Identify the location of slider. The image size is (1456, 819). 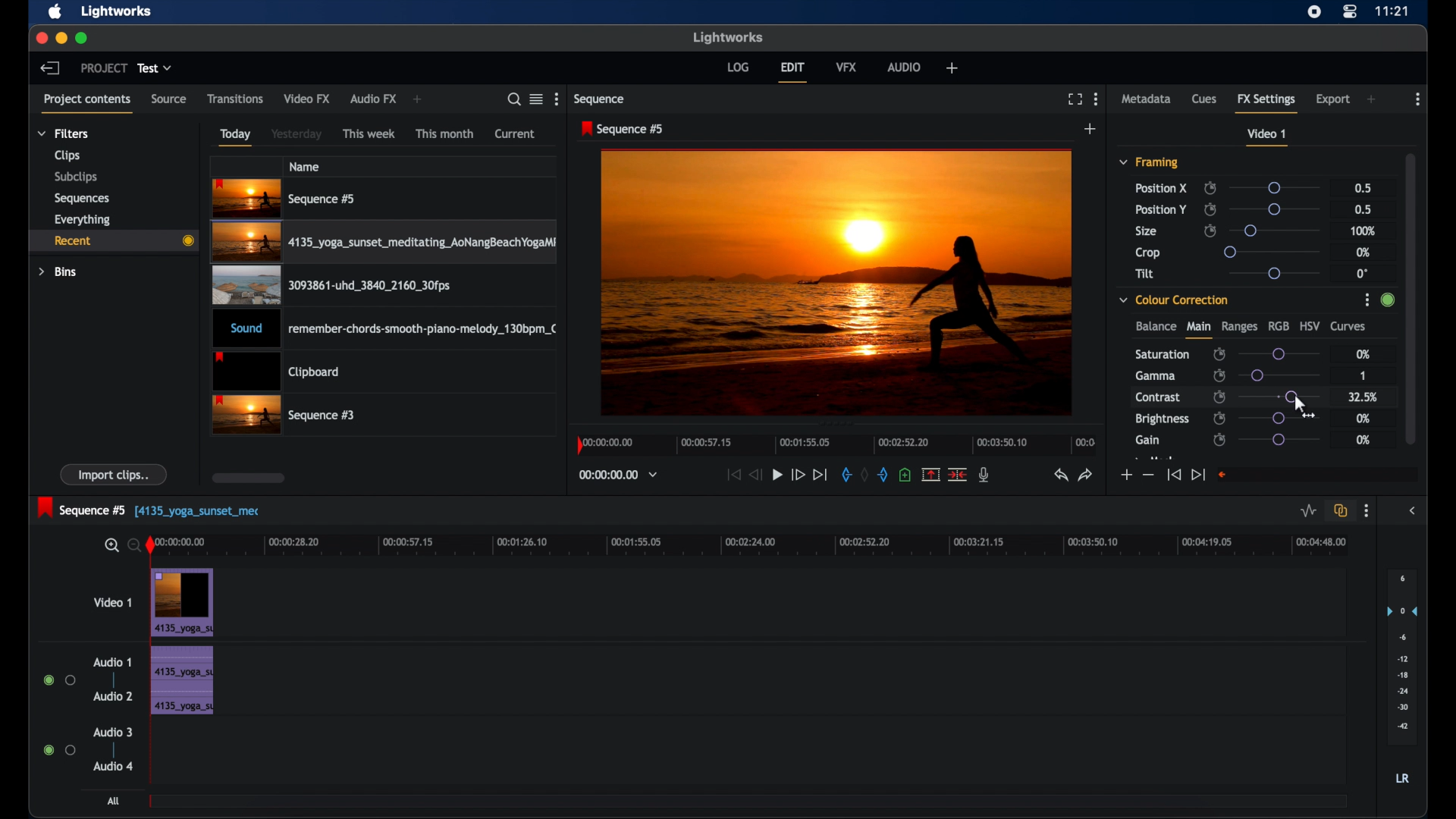
(1279, 440).